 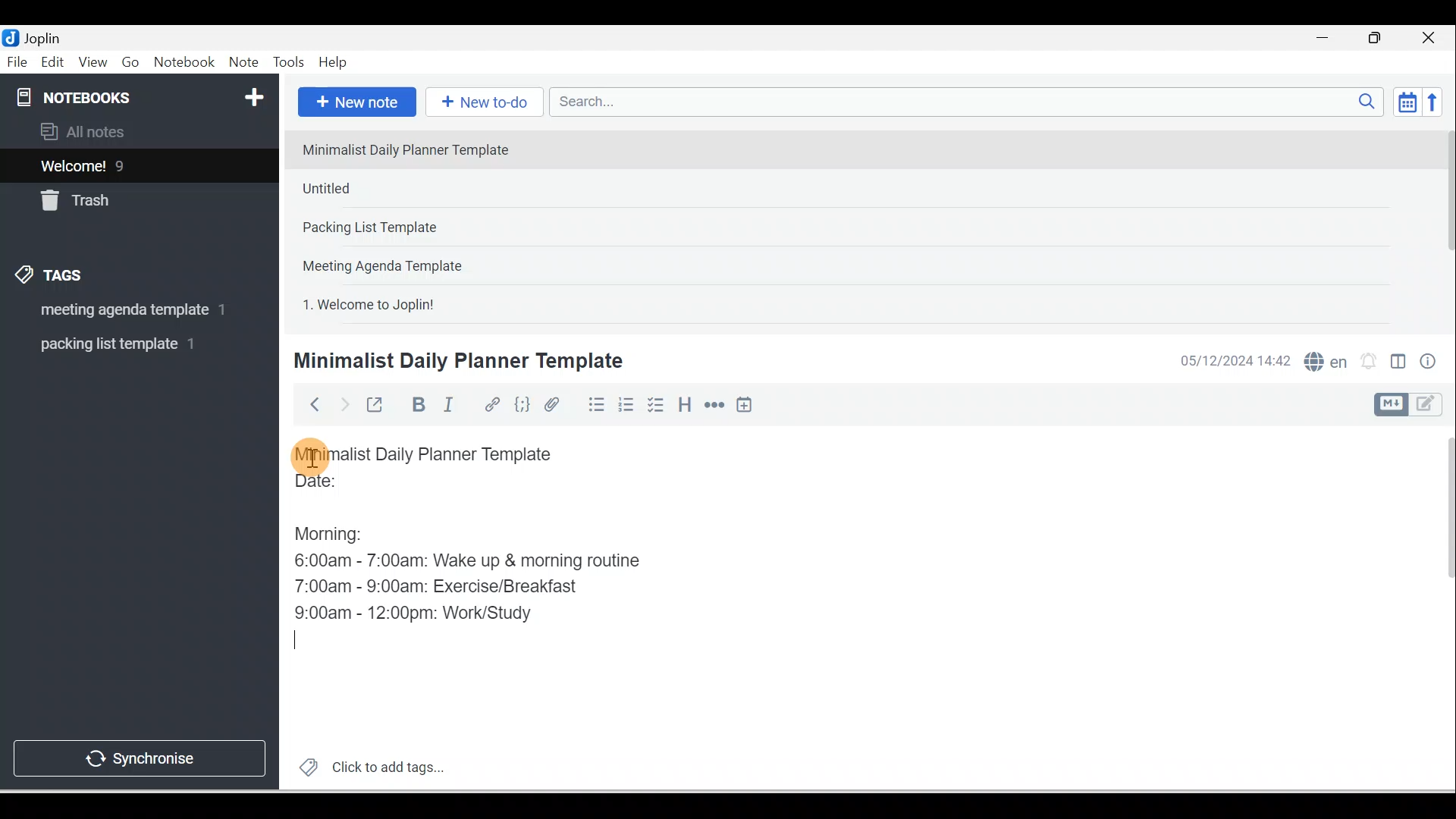 I want to click on Date:, so click(x=359, y=488).